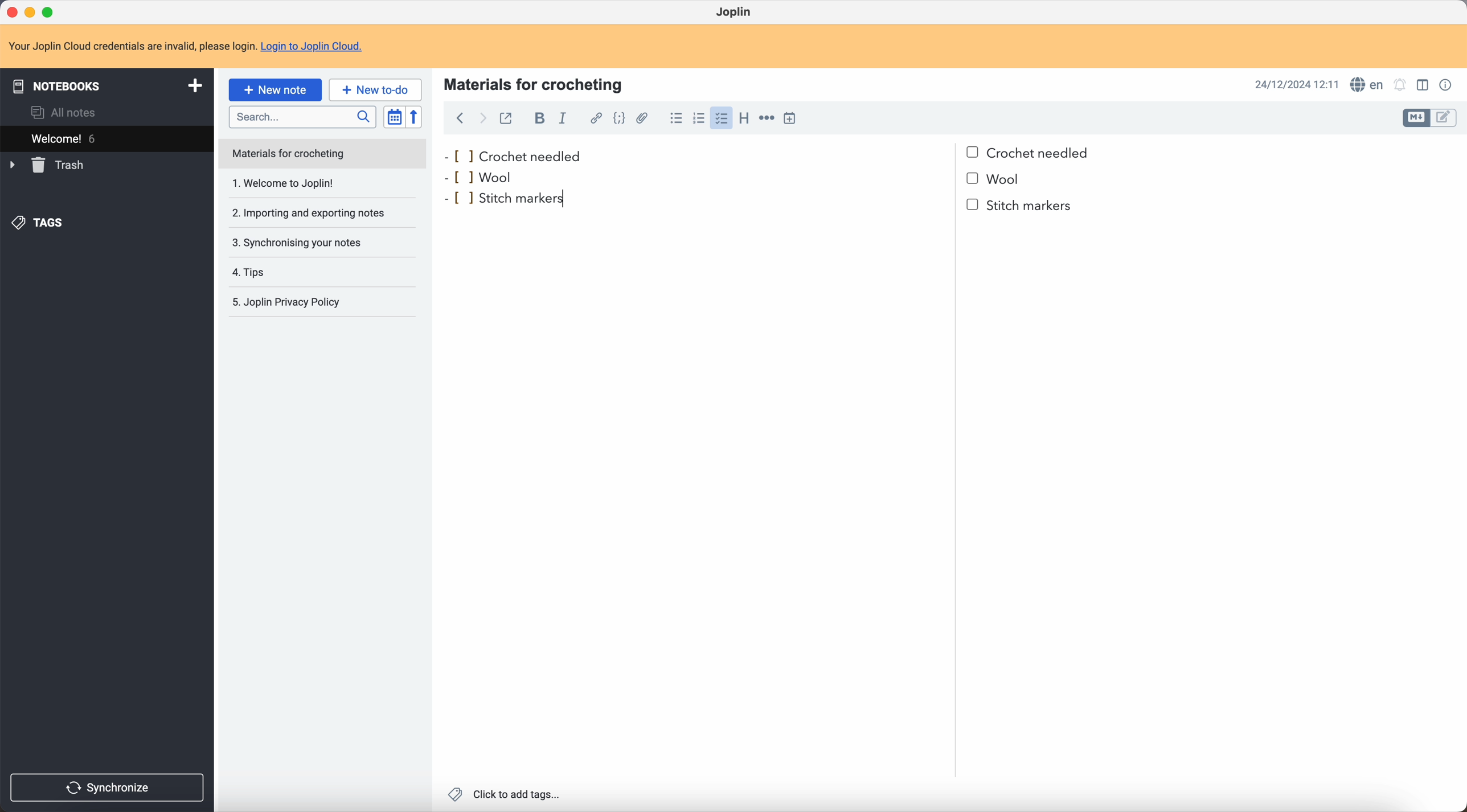 This screenshot has height=812, width=1467. Describe the element at coordinates (416, 117) in the screenshot. I see `reverse sort order` at that location.